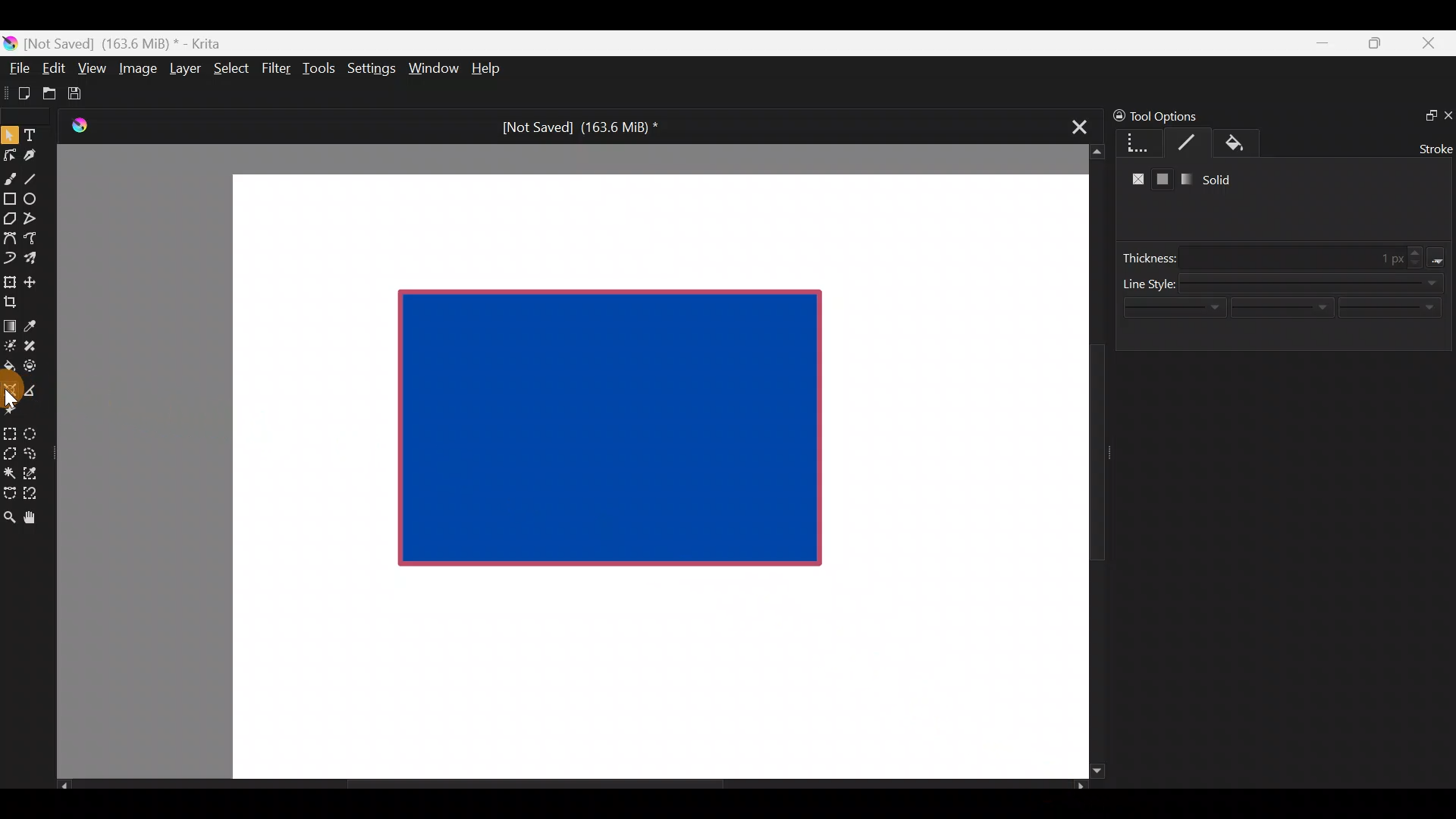  Describe the element at coordinates (40, 177) in the screenshot. I see `Line tool` at that location.